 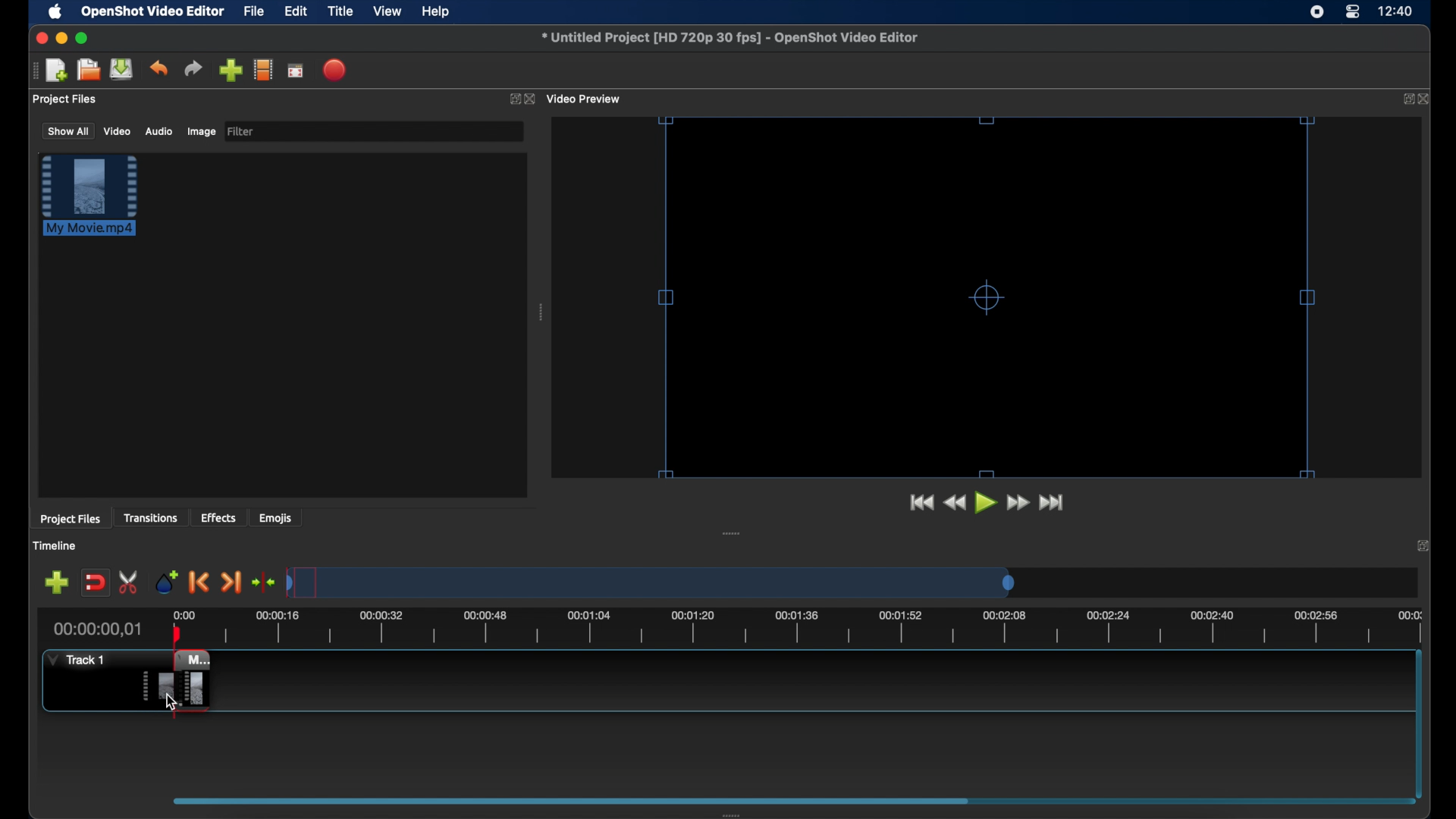 What do you see at coordinates (95, 583) in the screenshot?
I see `disable snapping` at bounding box center [95, 583].